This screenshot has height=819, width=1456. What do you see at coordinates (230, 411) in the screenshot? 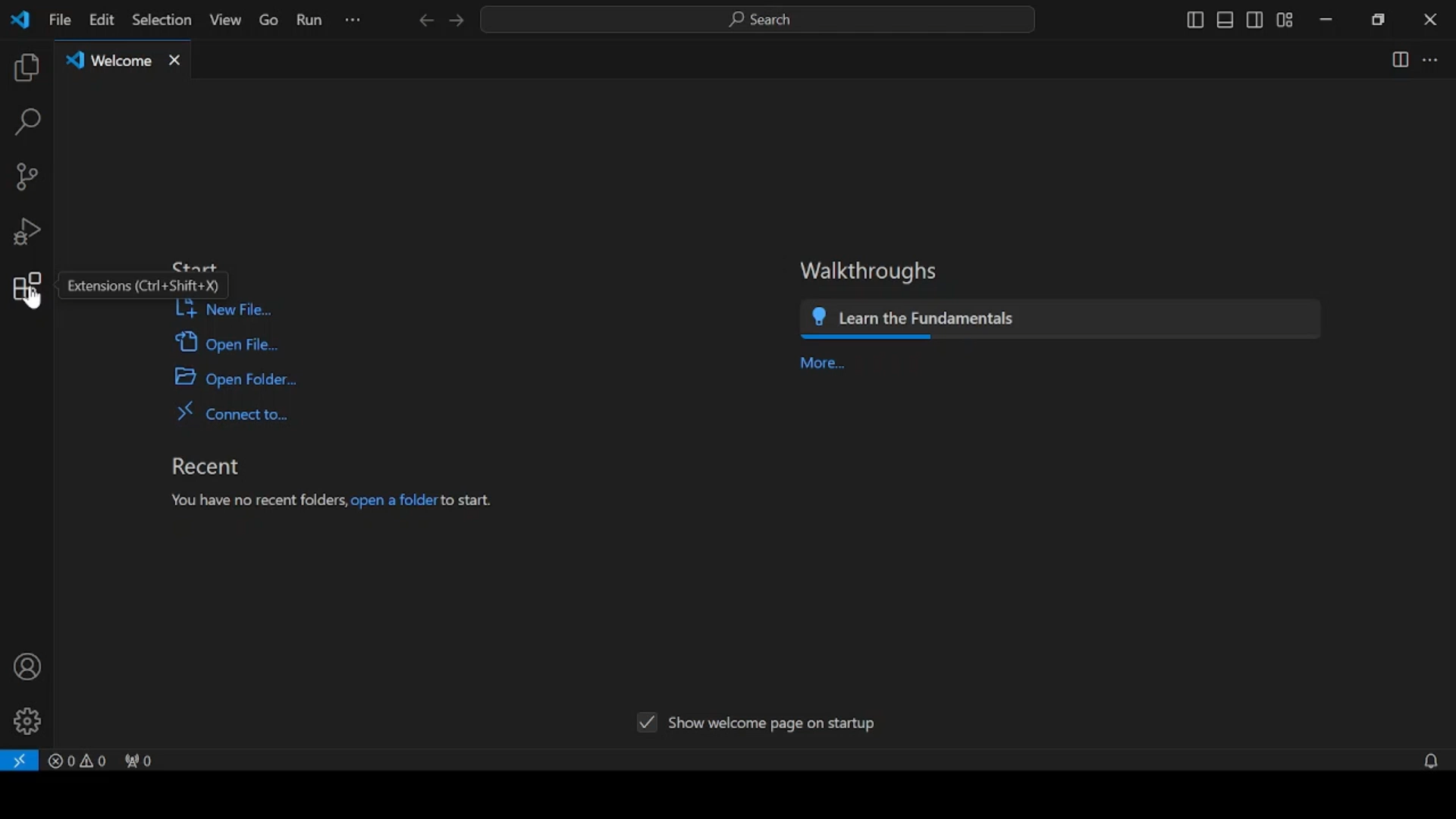
I see `connect to` at bounding box center [230, 411].